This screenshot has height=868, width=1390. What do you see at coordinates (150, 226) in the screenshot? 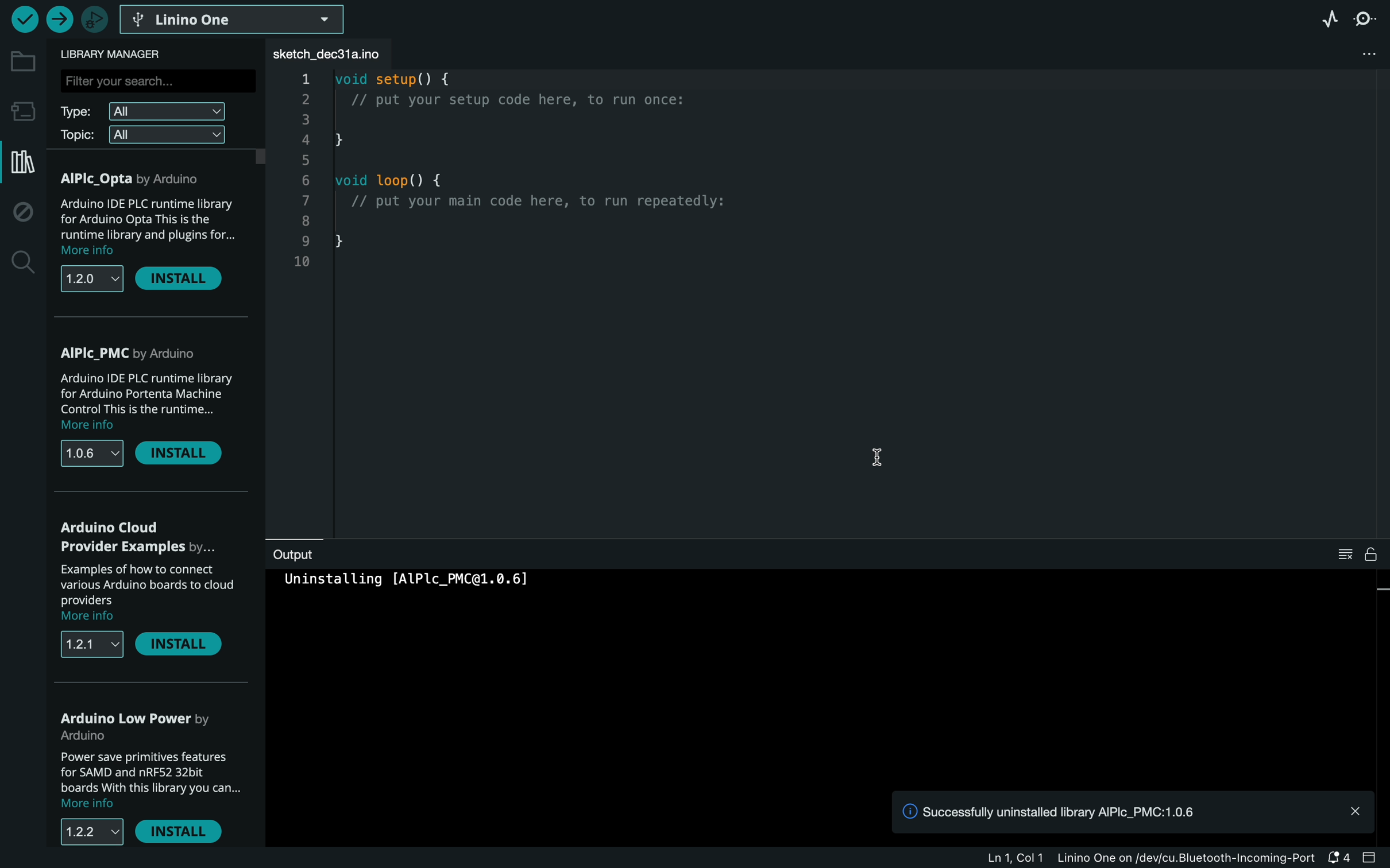
I see `description` at bounding box center [150, 226].